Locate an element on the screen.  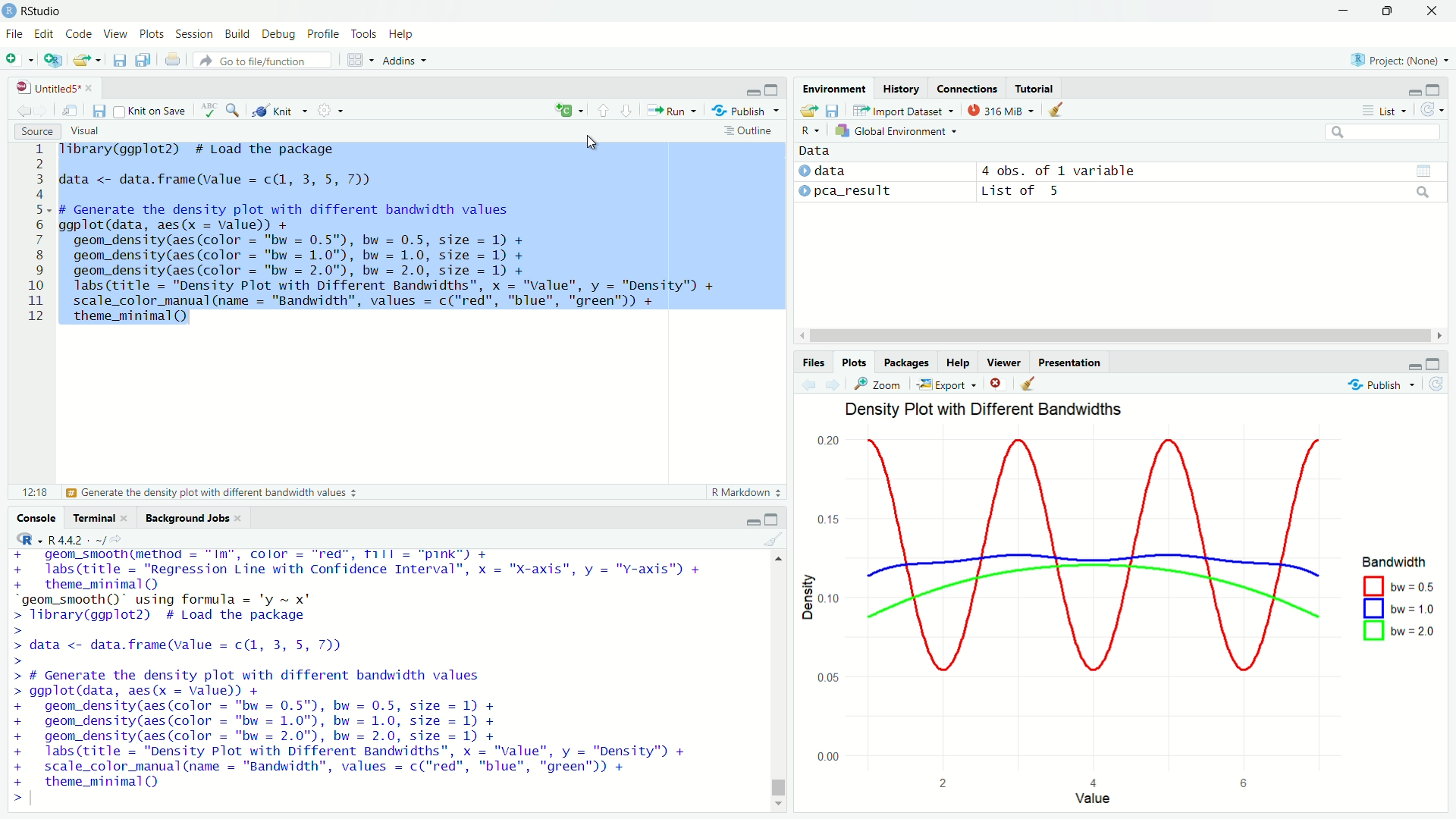
Session is located at coordinates (193, 33).